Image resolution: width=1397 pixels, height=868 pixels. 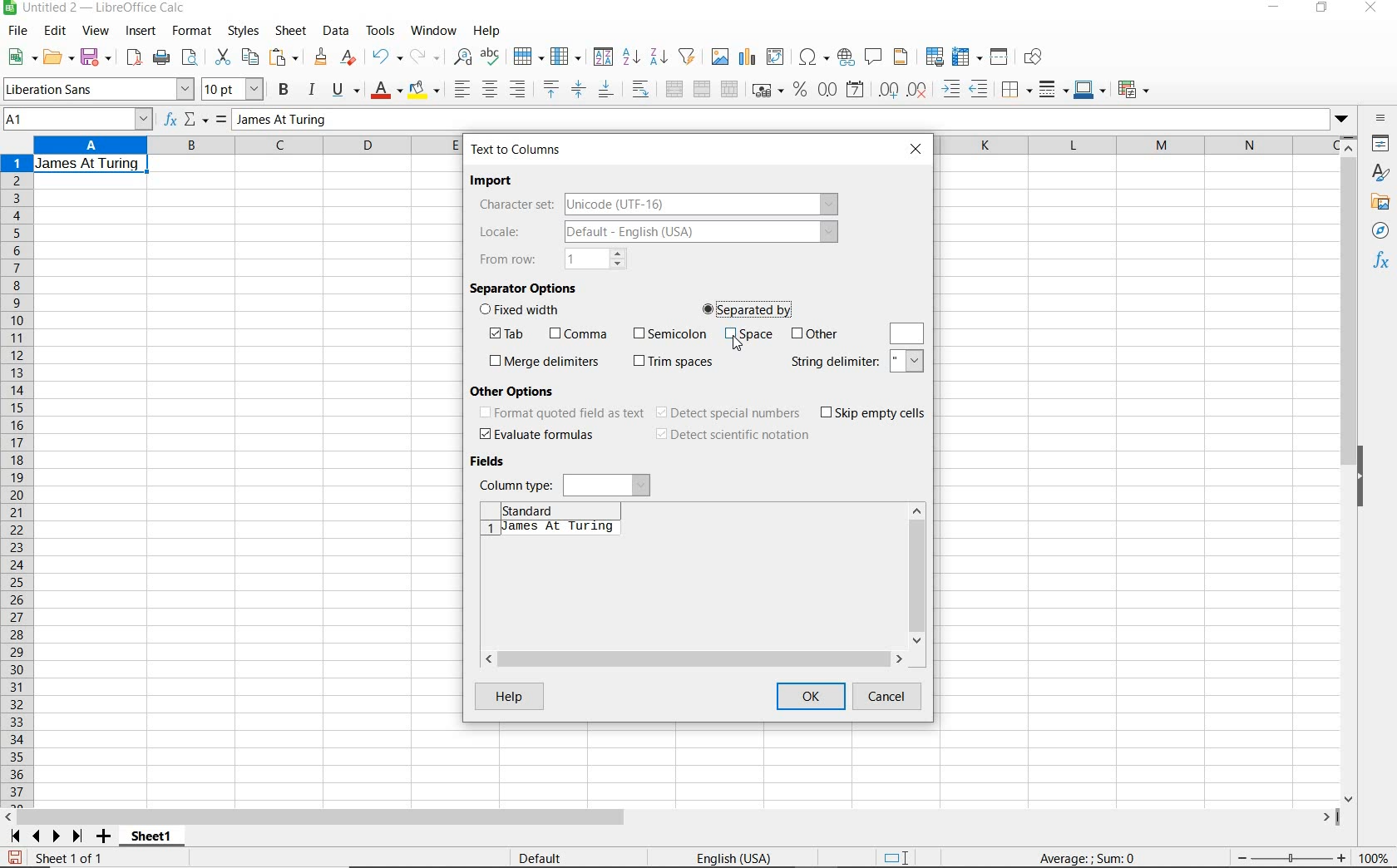 What do you see at coordinates (552, 259) in the screenshot?
I see `from row` at bounding box center [552, 259].